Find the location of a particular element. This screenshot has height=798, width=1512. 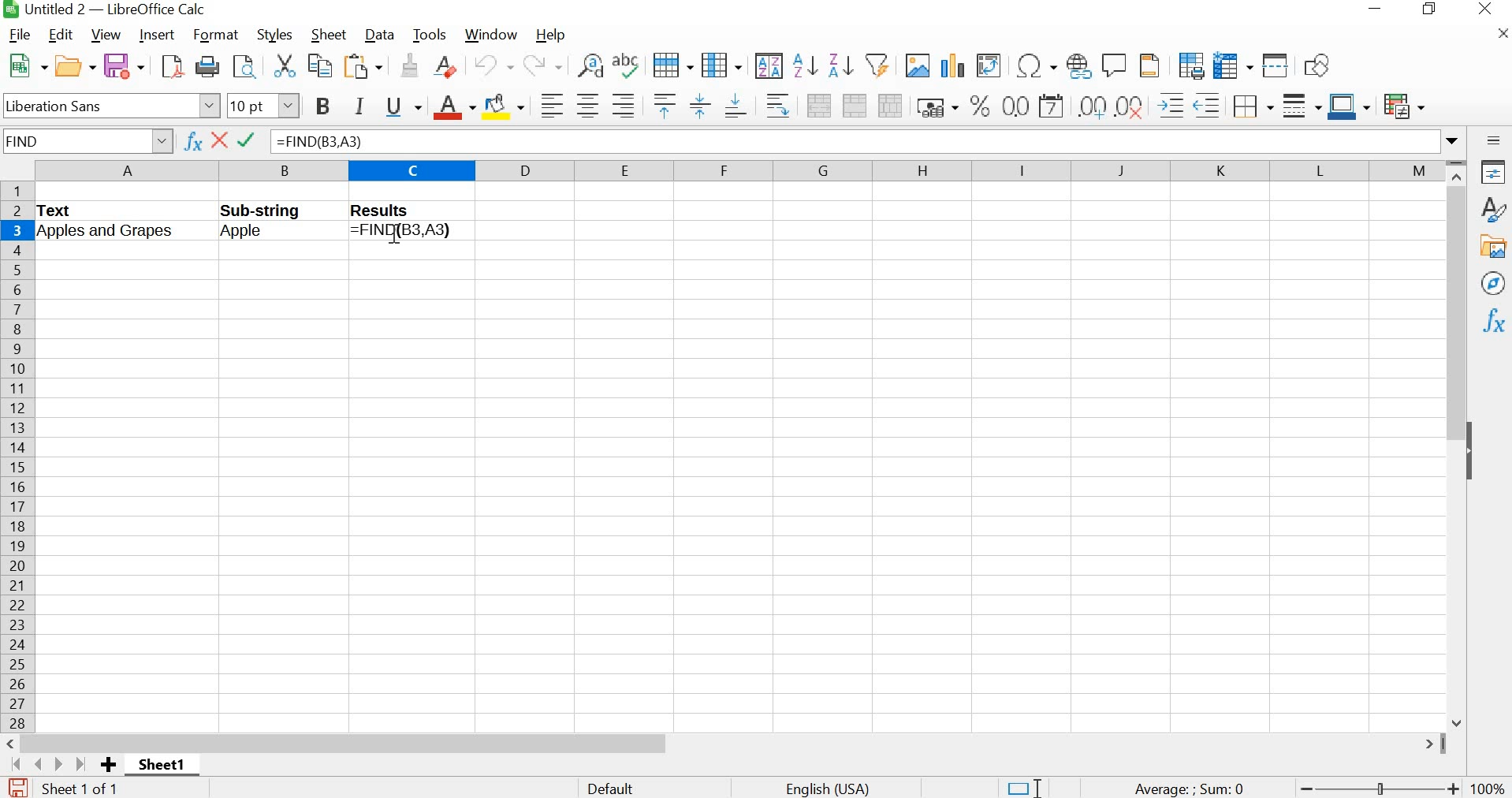

formula is located at coordinates (1186, 789).